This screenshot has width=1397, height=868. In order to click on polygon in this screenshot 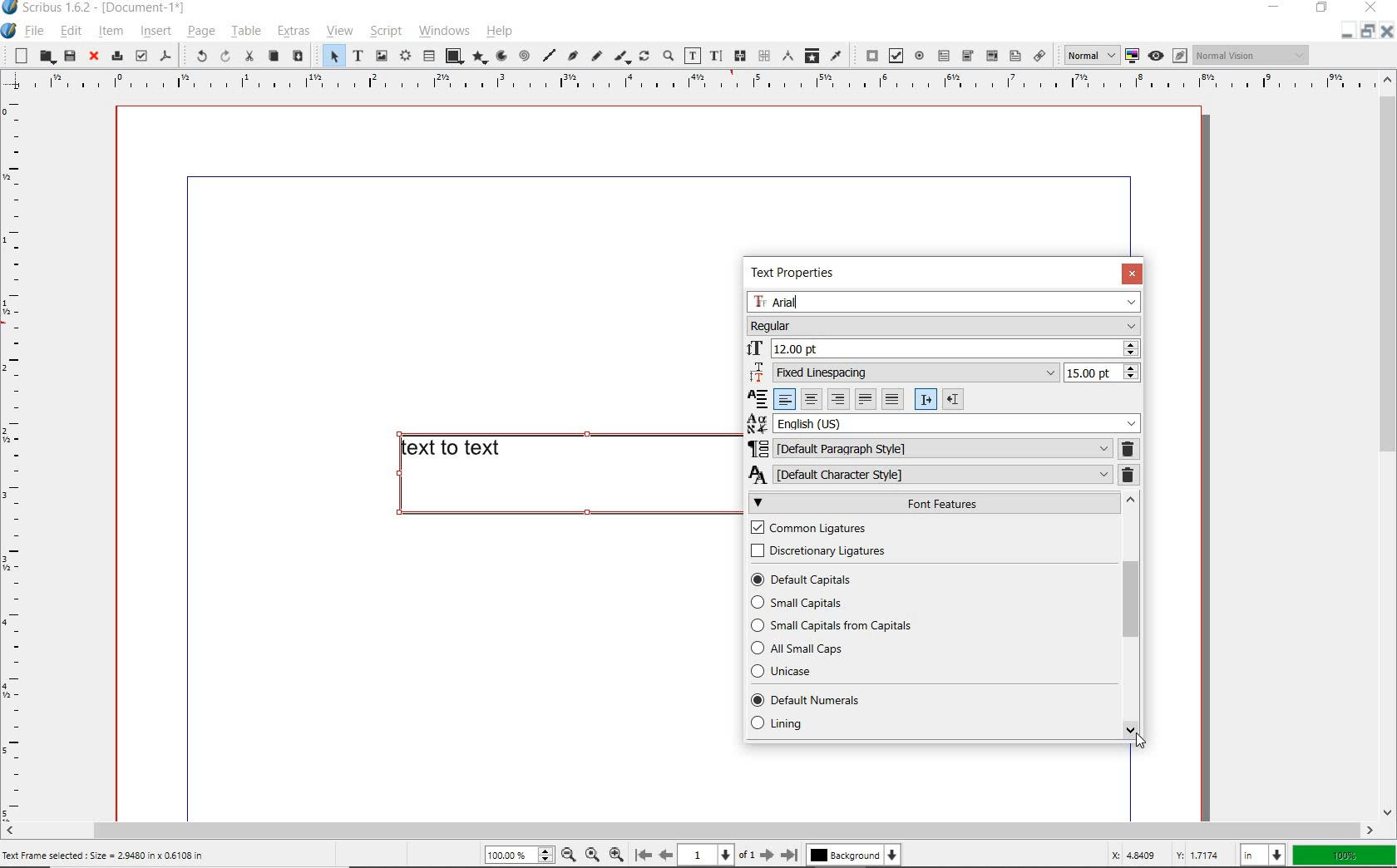, I will do `click(477, 58)`.